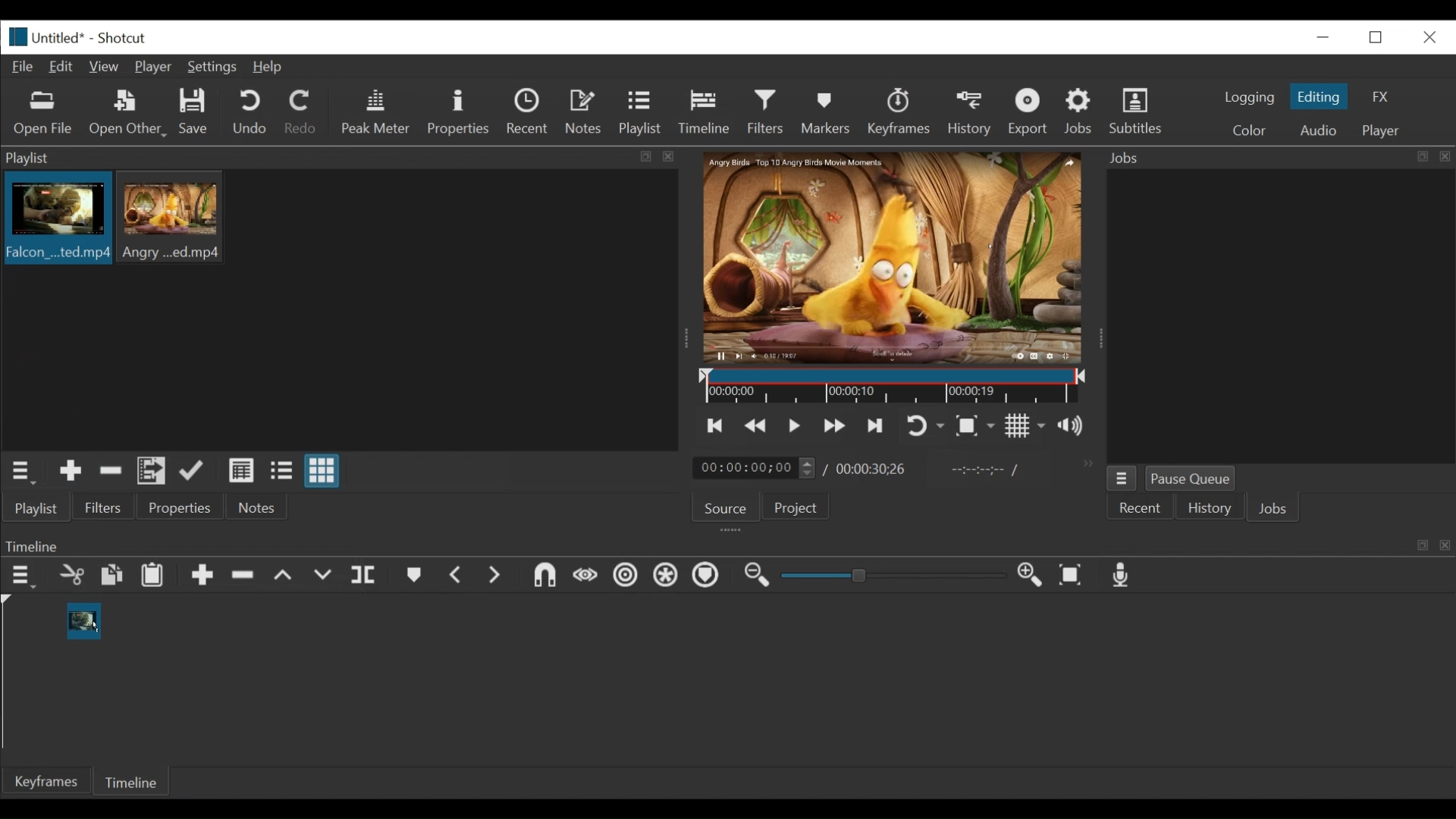 The width and height of the screenshot is (1456, 819). I want to click on Record audio, so click(1122, 579).